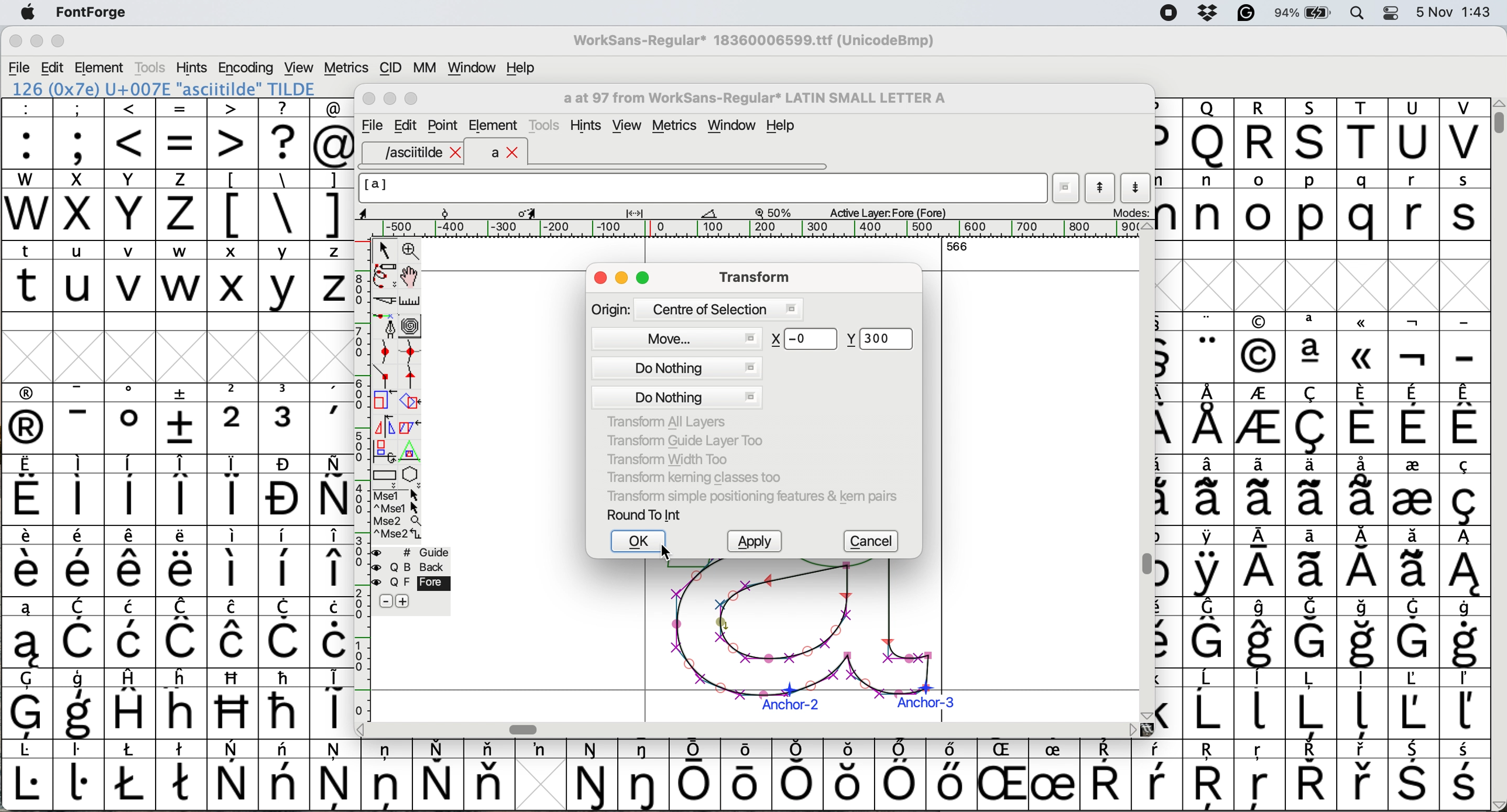  Describe the element at coordinates (1308, 12) in the screenshot. I see `battery` at that location.